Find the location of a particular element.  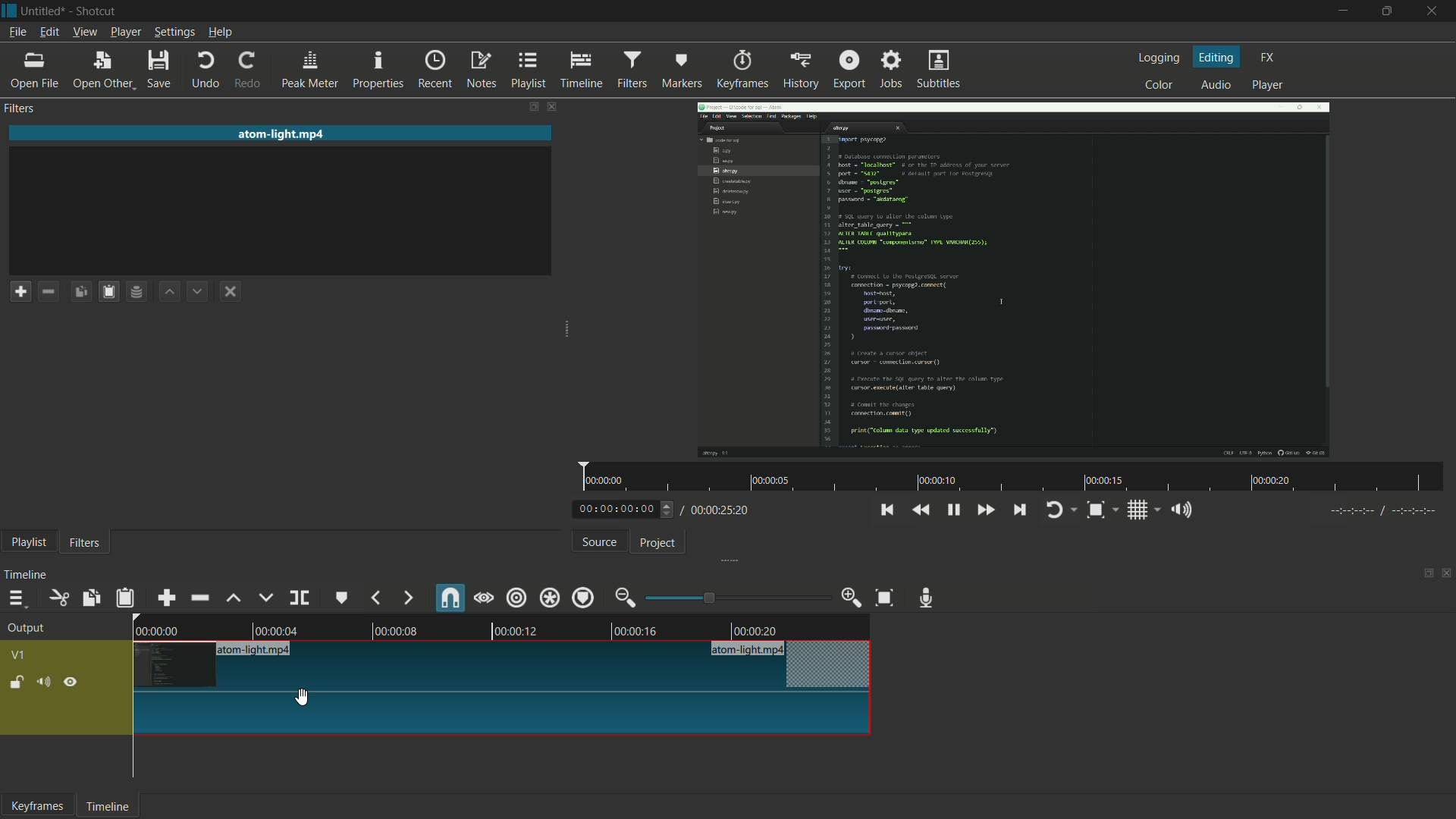

skip to the previous point is located at coordinates (886, 510).